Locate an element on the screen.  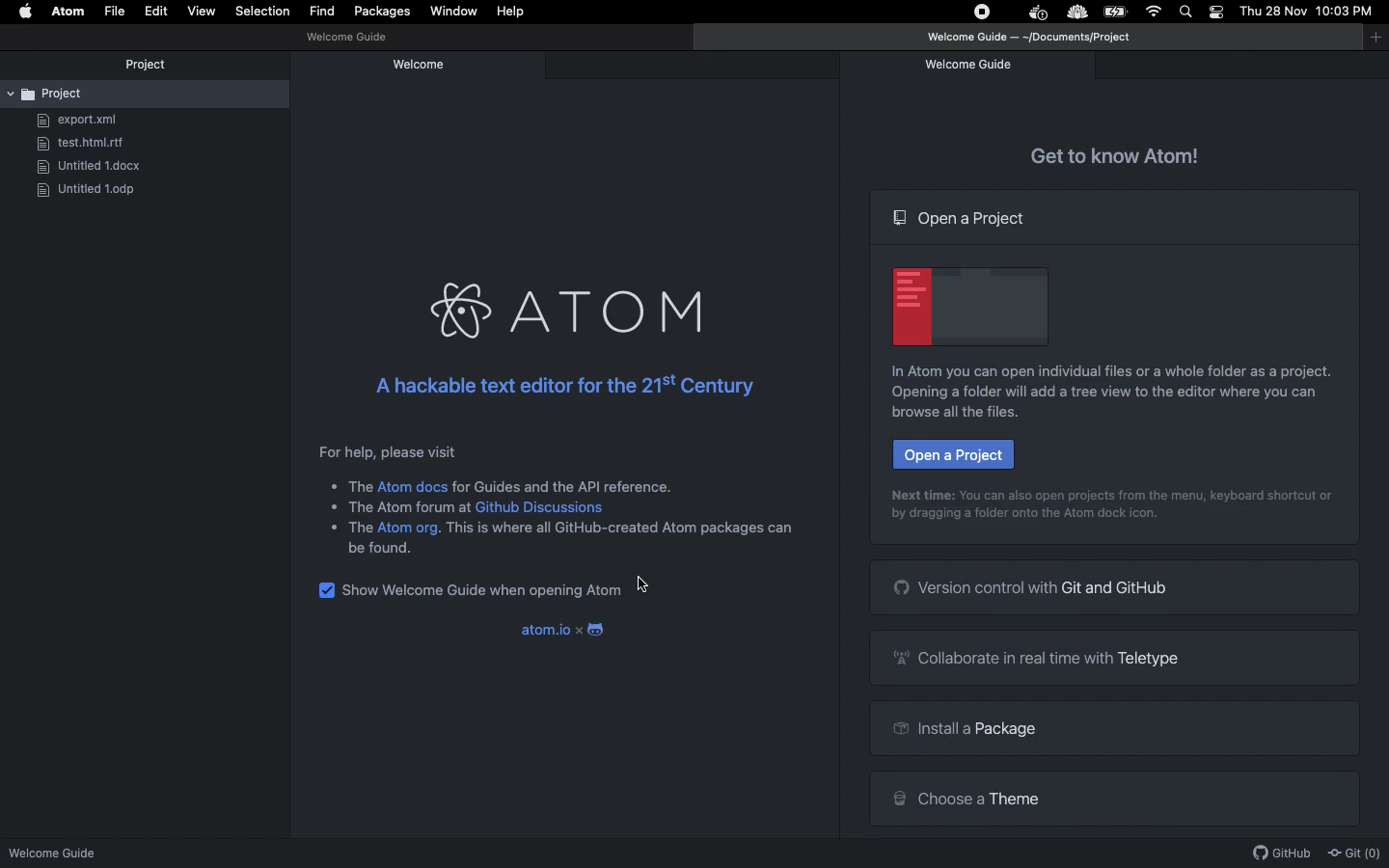
Get to know Atom is located at coordinates (1110, 152).